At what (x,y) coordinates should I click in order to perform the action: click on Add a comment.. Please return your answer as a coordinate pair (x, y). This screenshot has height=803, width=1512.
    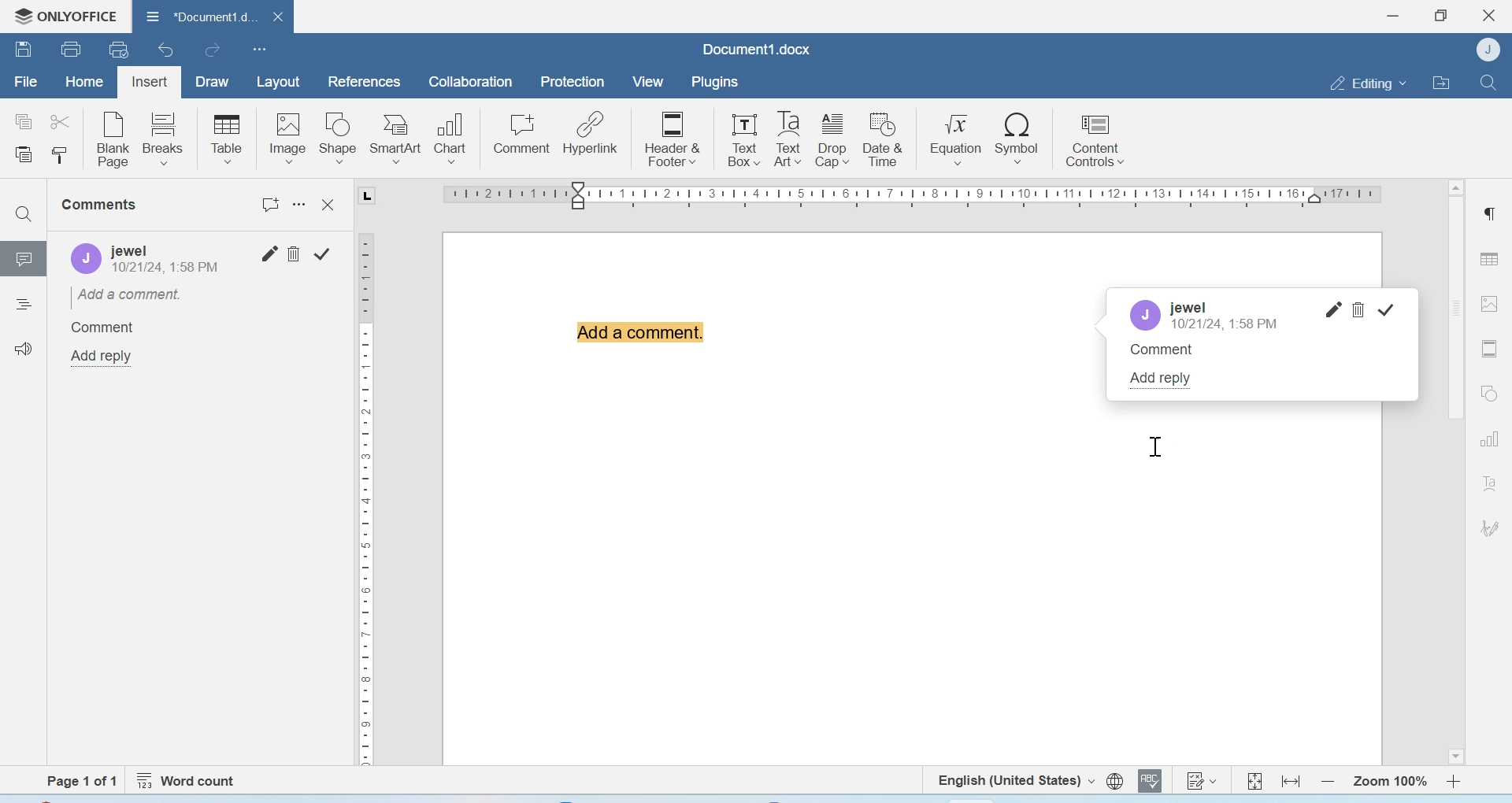
    Looking at the image, I should click on (128, 295).